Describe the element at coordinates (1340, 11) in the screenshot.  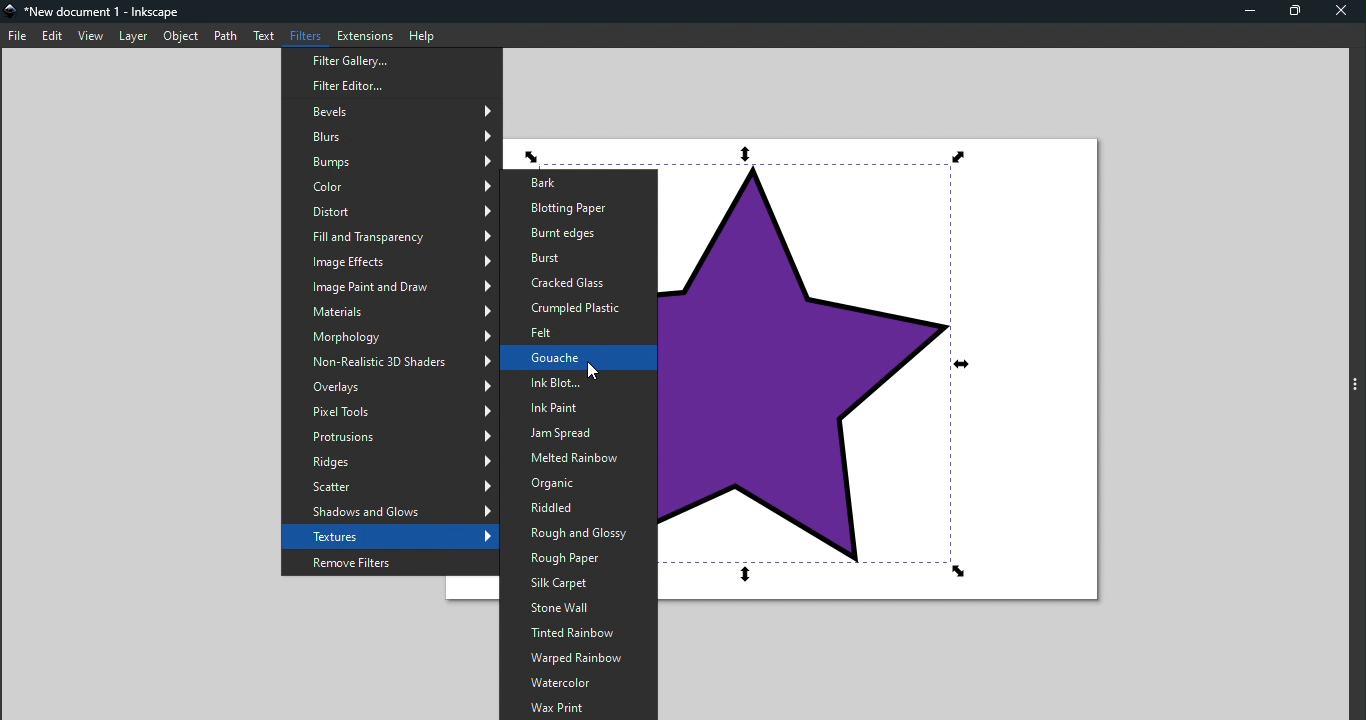
I see `Close` at that location.